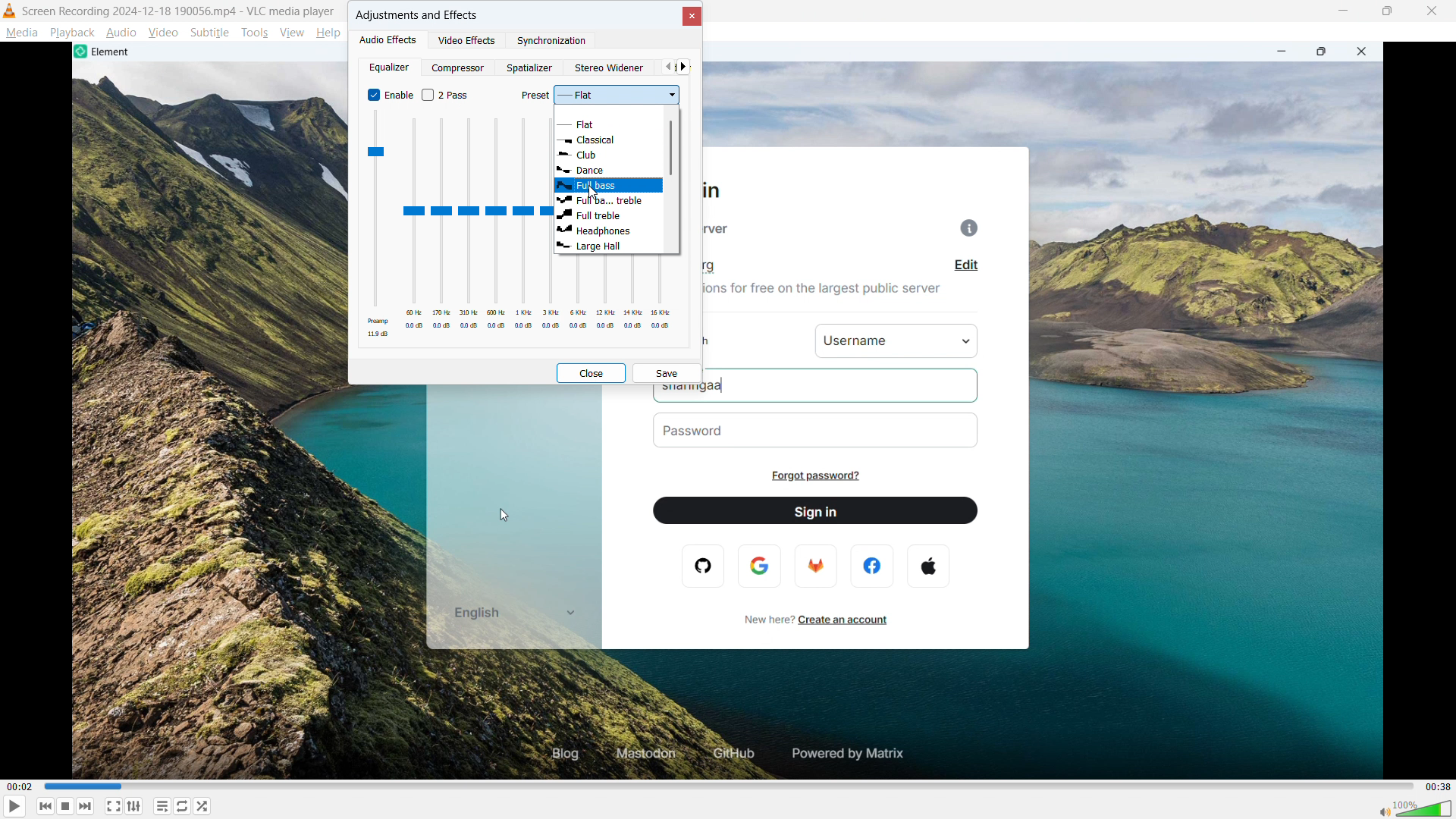  Describe the element at coordinates (447, 95) in the screenshot. I see `Enable or disable 2 pass` at that location.